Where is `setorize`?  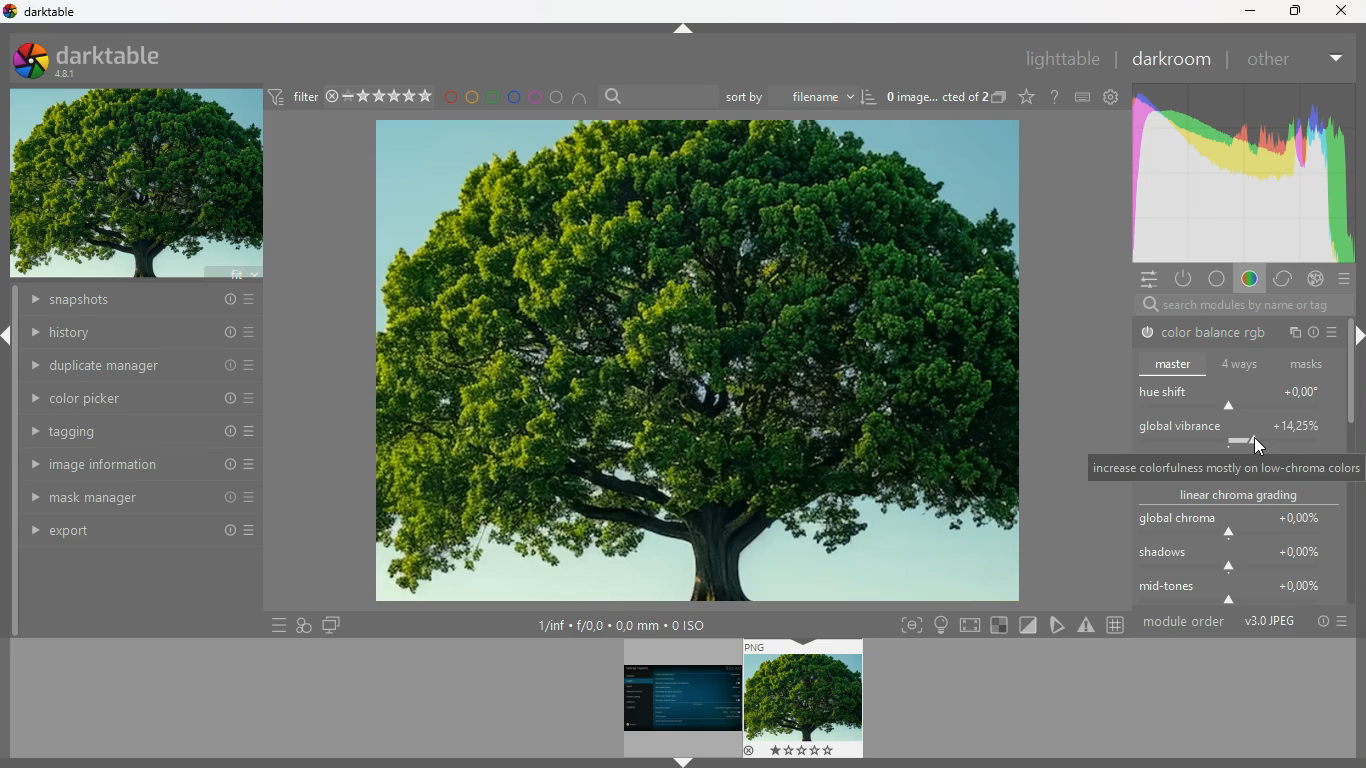 setorize is located at coordinates (1001, 625).